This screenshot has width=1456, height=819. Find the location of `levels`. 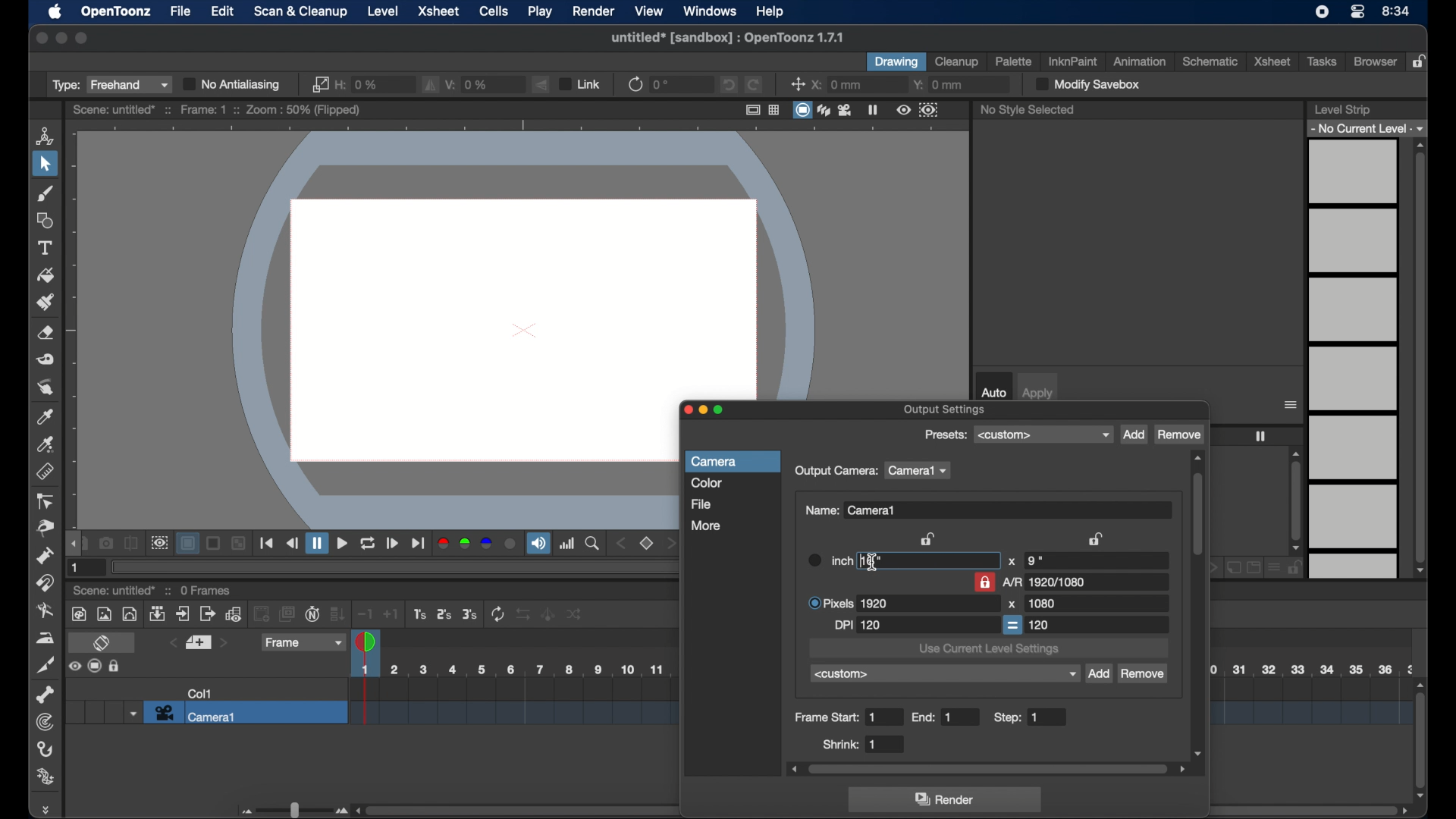

levels is located at coordinates (1354, 359).